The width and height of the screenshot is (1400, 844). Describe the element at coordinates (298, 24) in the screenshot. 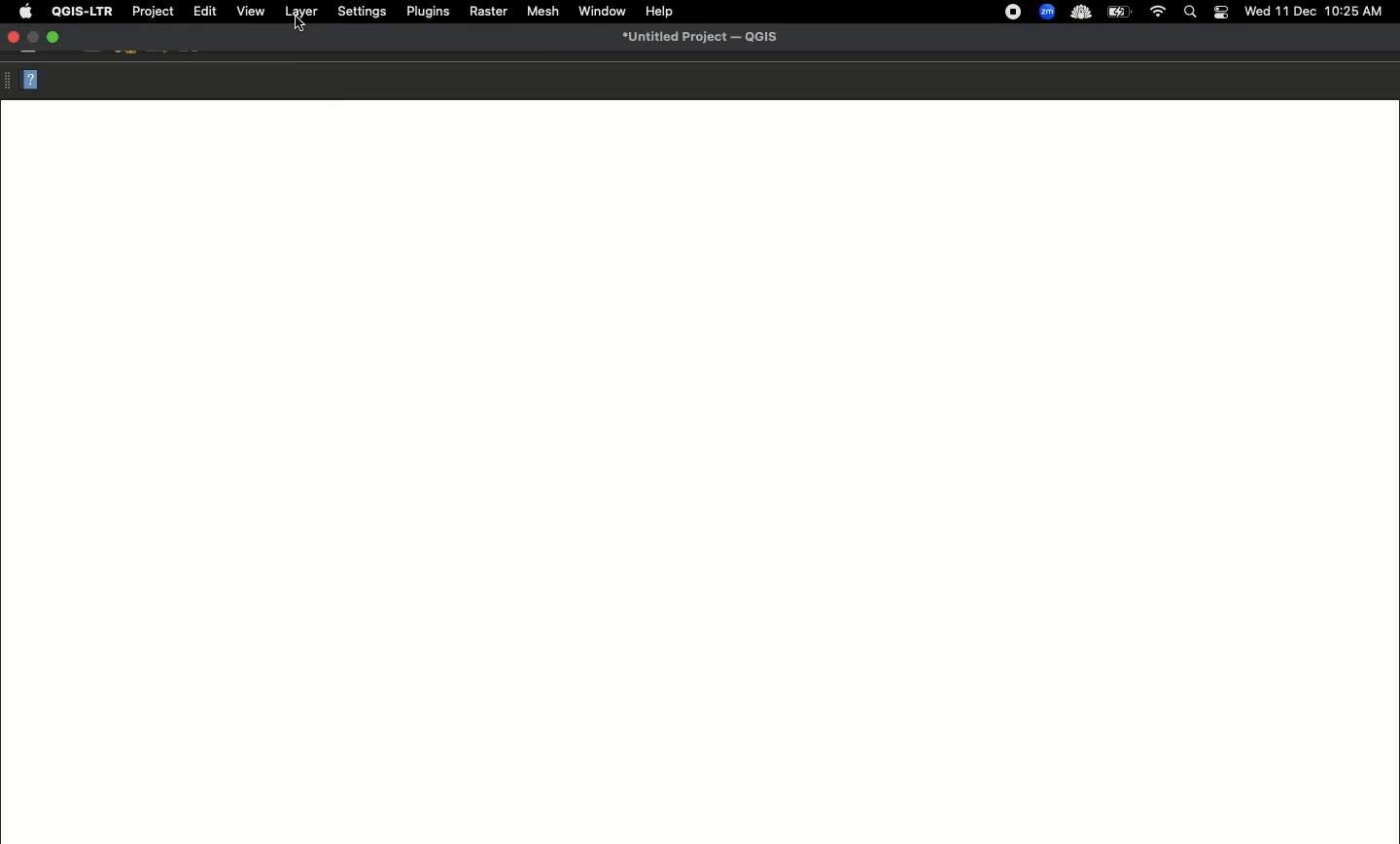

I see `Cursor` at that location.